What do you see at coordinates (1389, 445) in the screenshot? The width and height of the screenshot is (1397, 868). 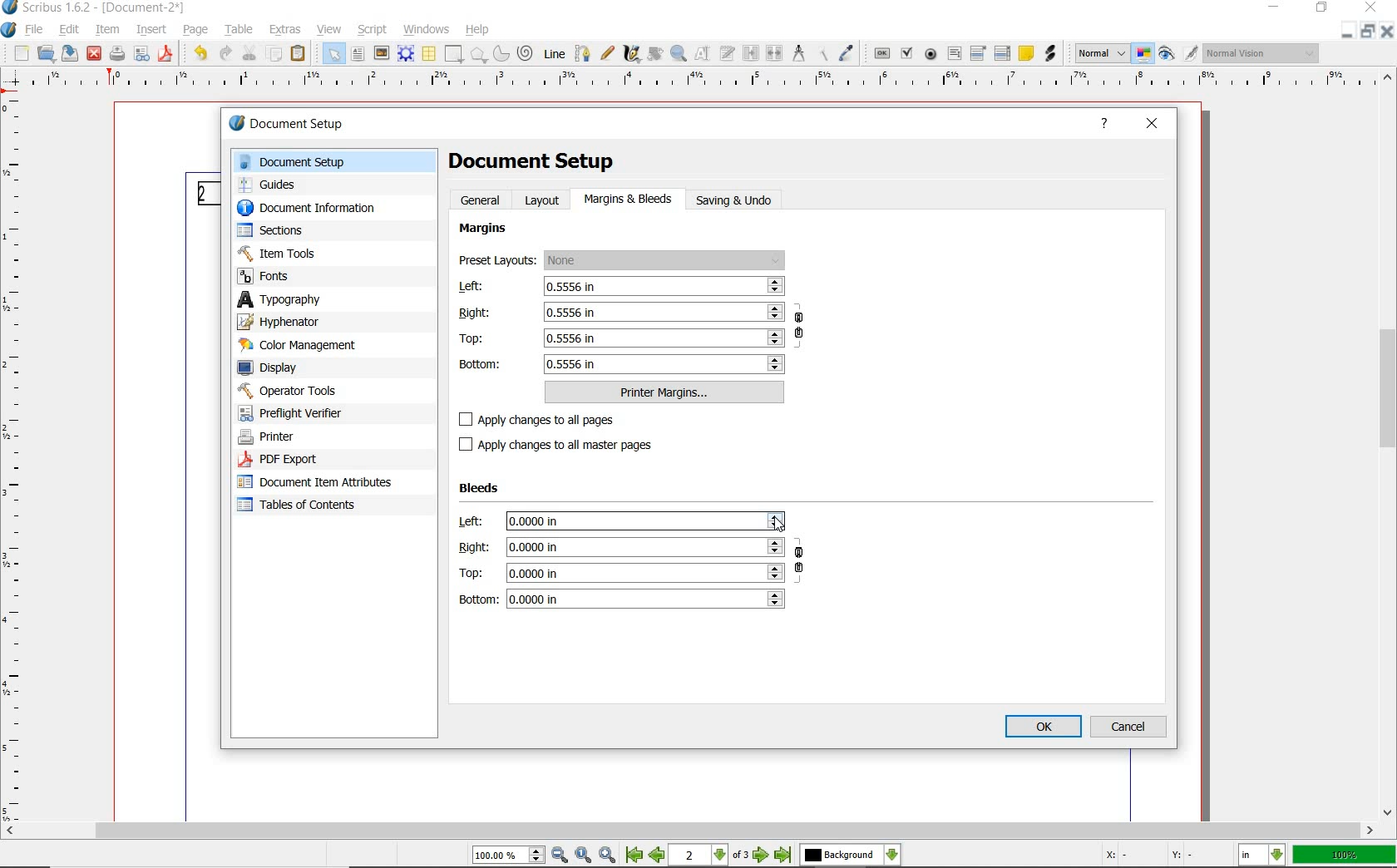 I see `scrollbar` at bounding box center [1389, 445].